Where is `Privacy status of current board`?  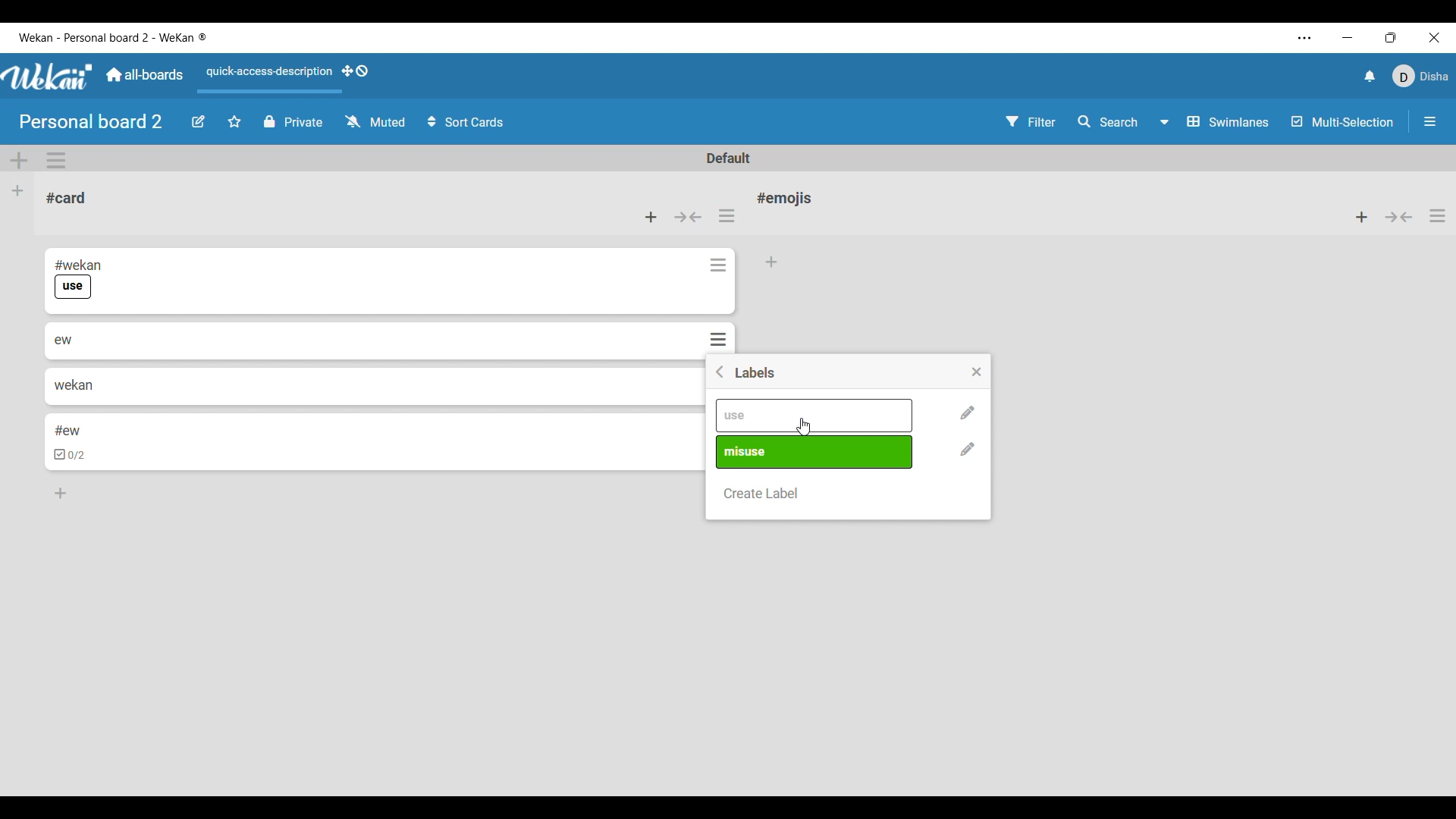
Privacy status of current board is located at coordinates (293, 121).